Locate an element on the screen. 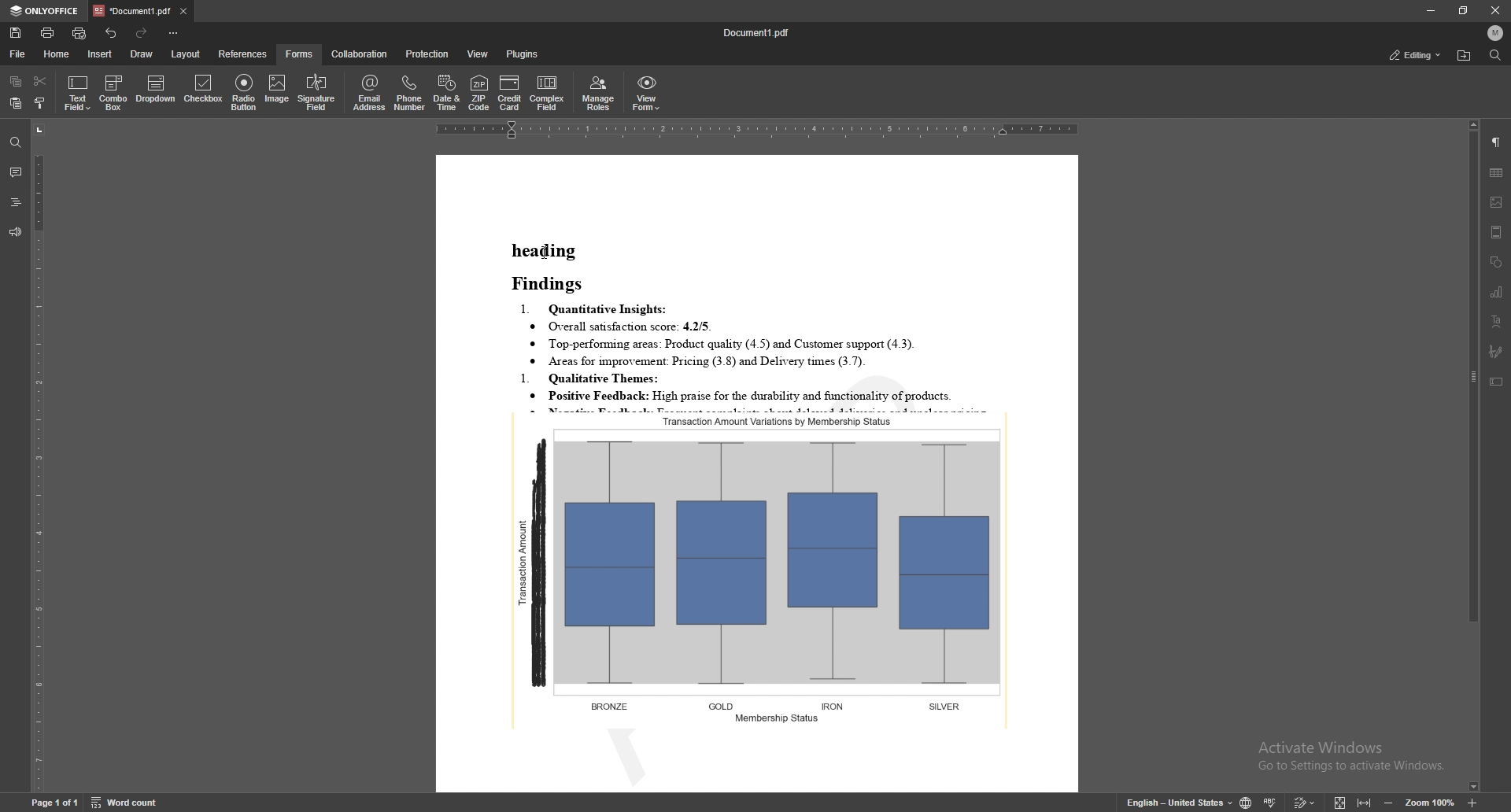 The height and width of the screenshot is (812, 1511). word count is located at coordinates (133, 803).